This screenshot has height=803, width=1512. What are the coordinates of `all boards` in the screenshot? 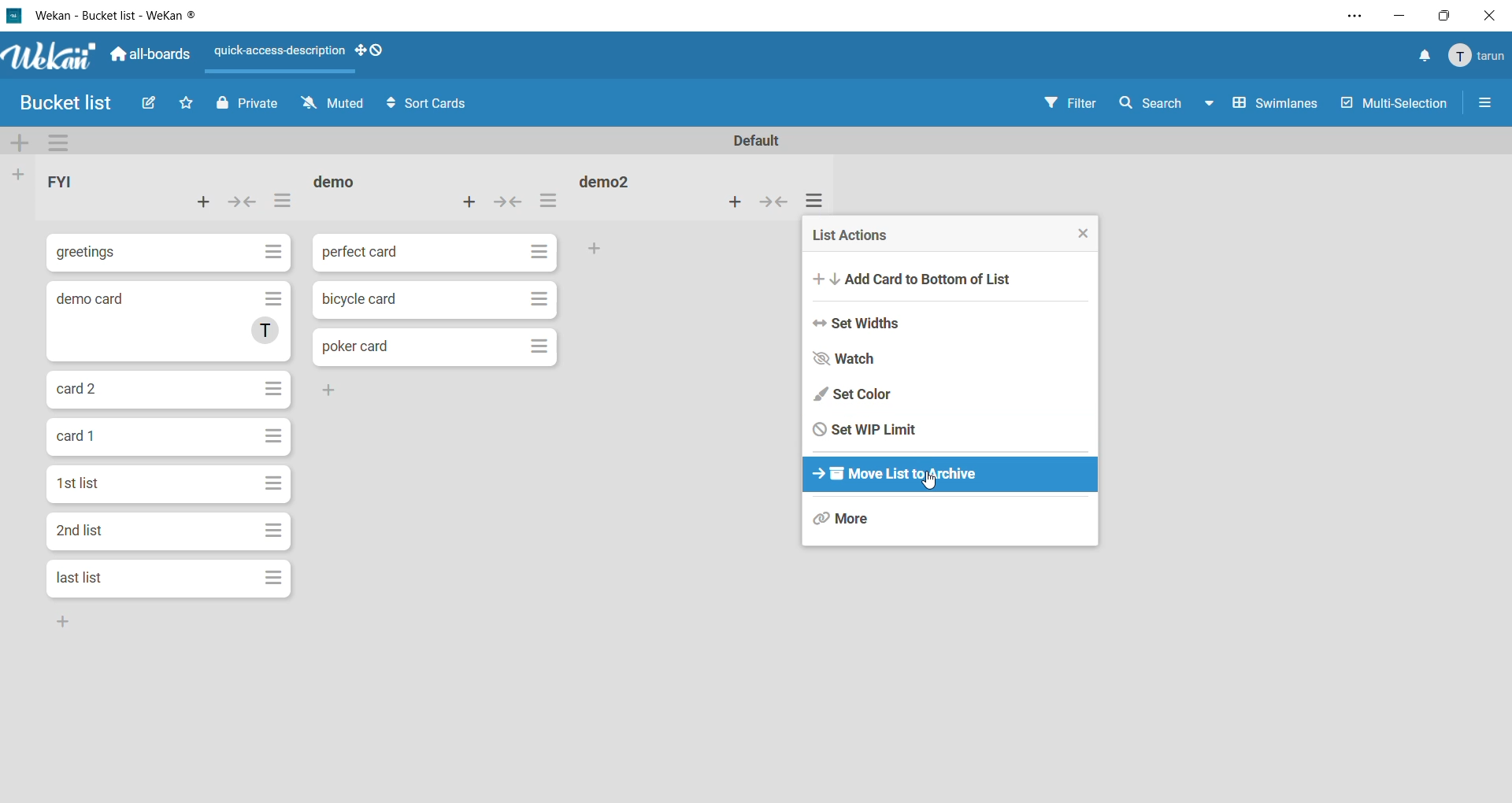 It's located at (147, 56).